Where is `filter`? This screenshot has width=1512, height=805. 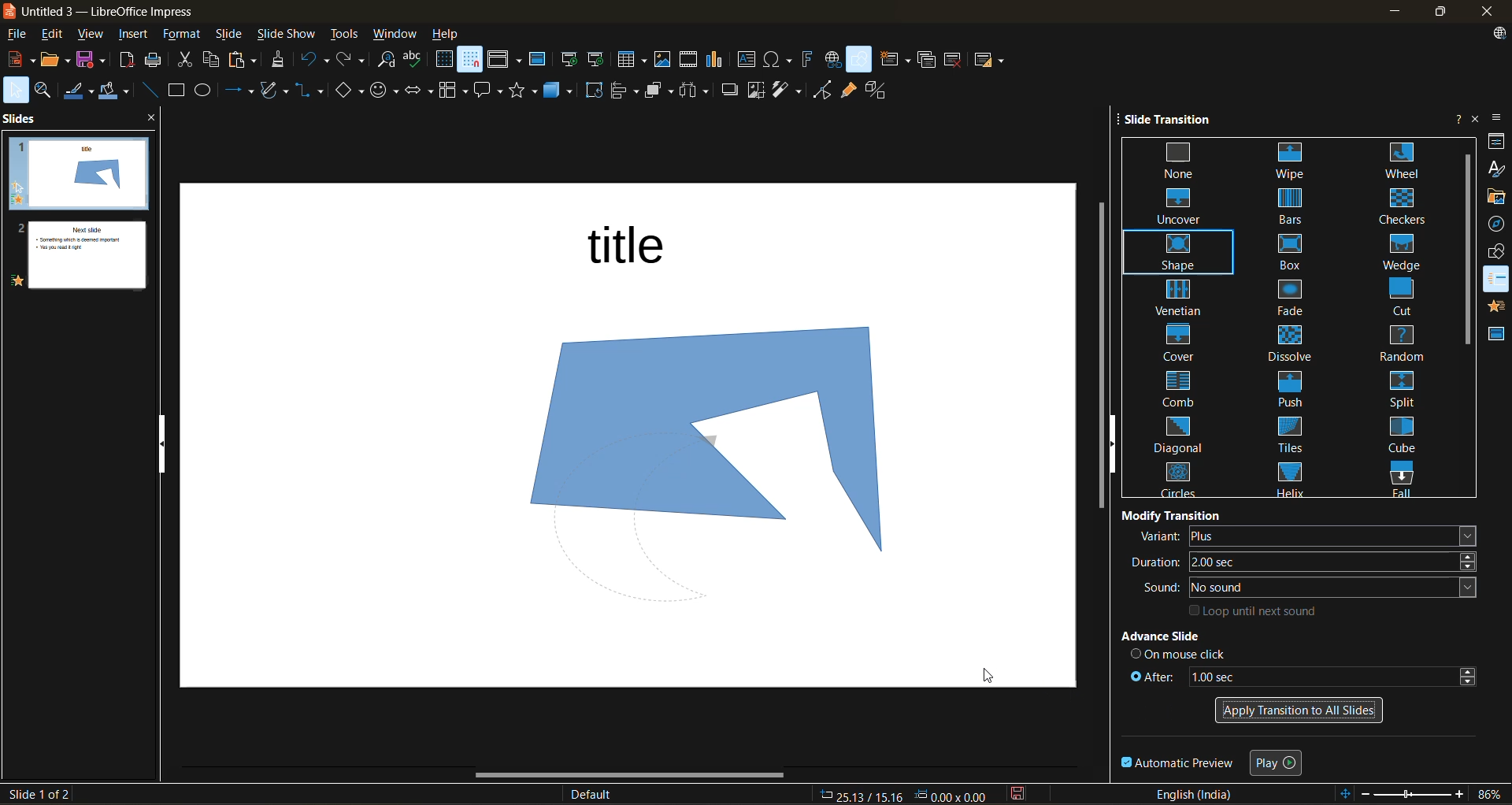 filter is located at coordinates (789, 90).